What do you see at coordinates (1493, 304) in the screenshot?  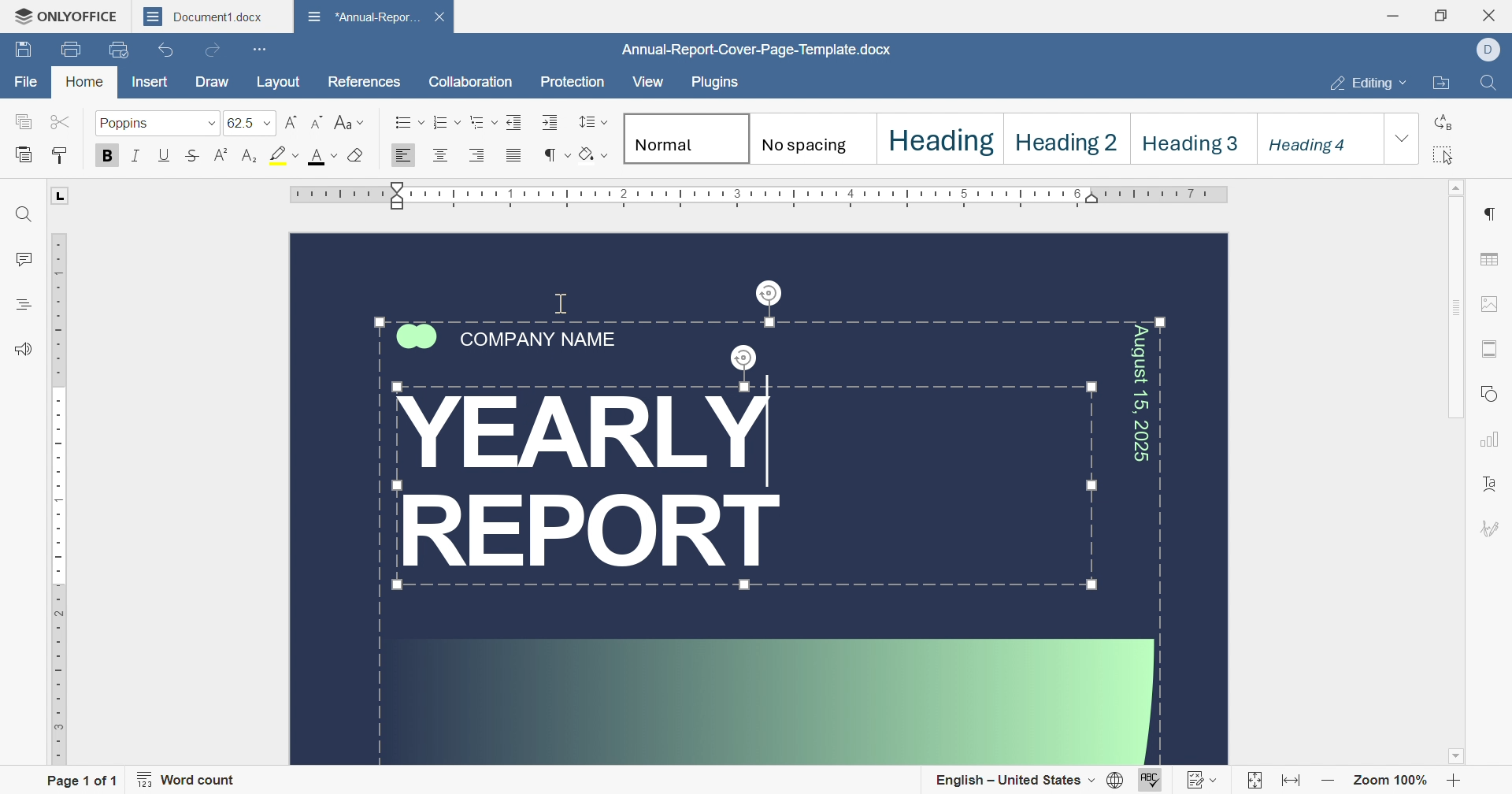 I see `image settings` at bounding box center [1493, 304].